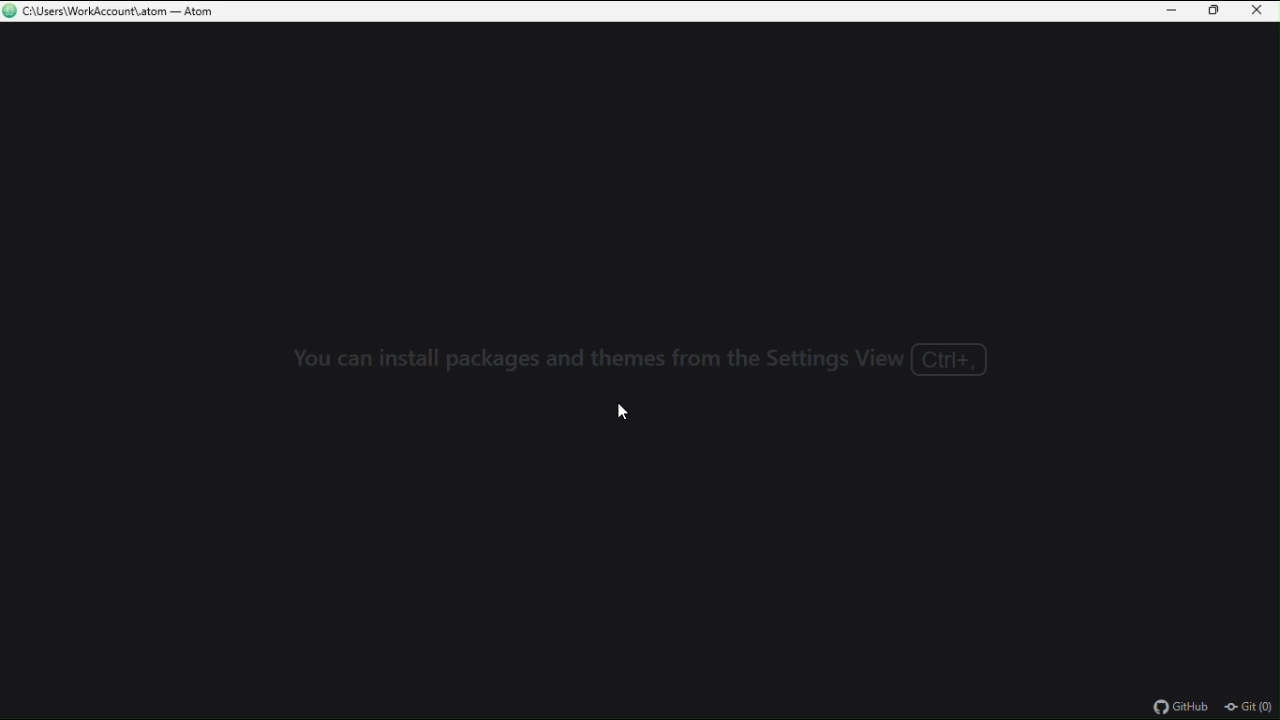 This screenshot has width=1280, height=720. What do you see at coordinates (646, 358) in the screenshot?
I see `text` at bounding box center [646, 358].